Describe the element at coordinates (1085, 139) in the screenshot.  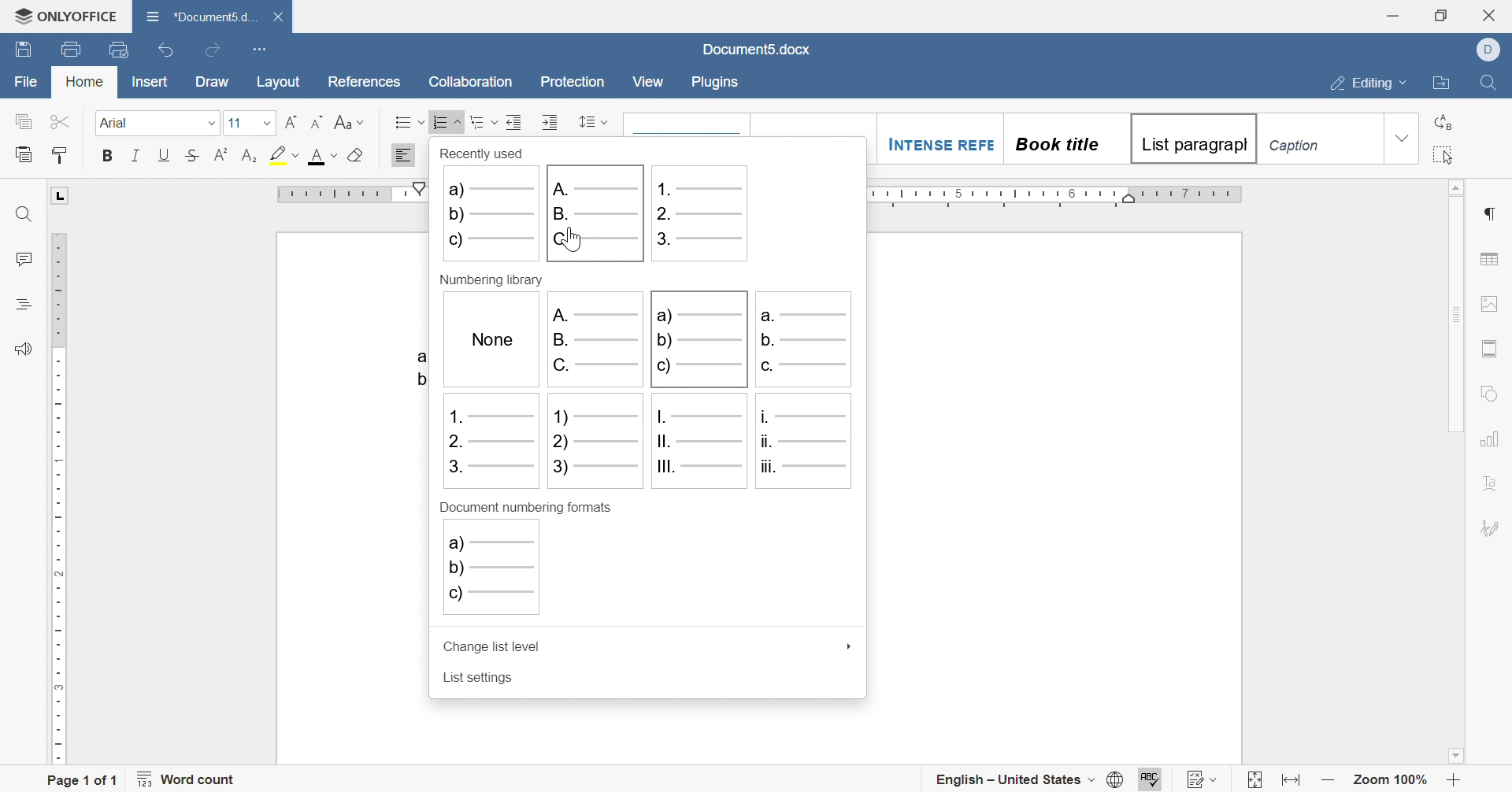
I see `Heading styles` at that location.